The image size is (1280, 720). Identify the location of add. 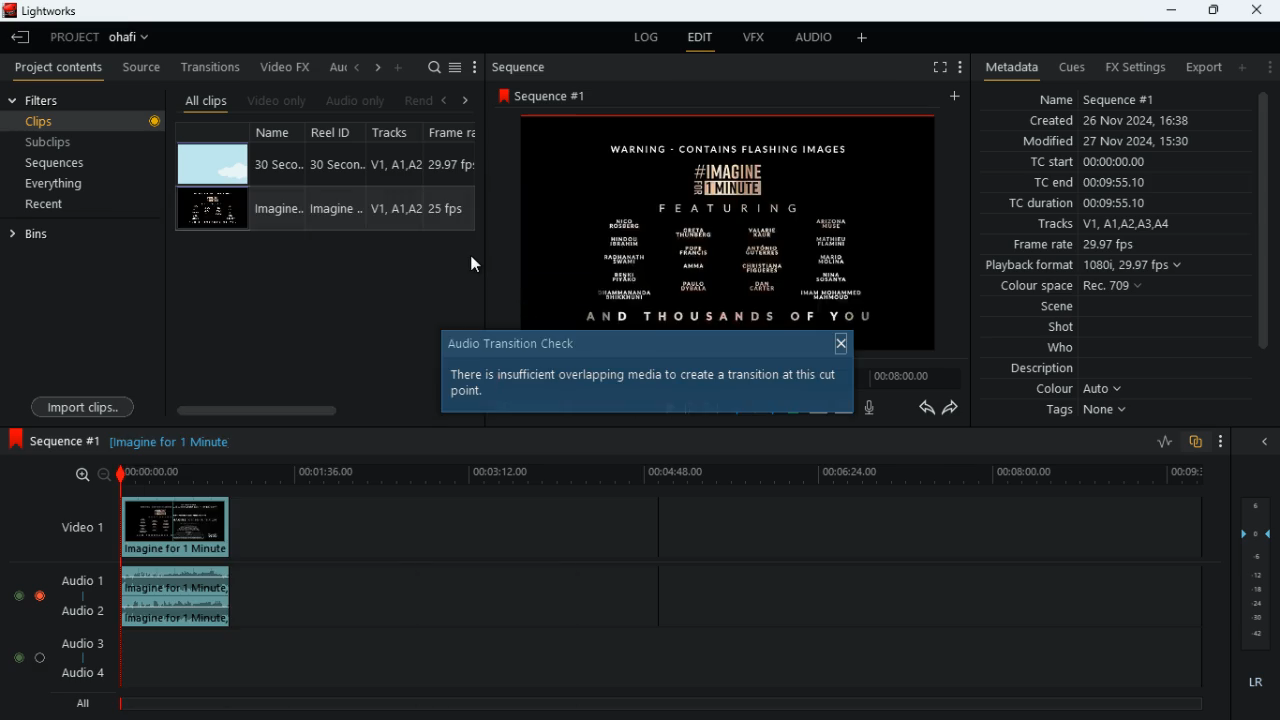
(958, 97).